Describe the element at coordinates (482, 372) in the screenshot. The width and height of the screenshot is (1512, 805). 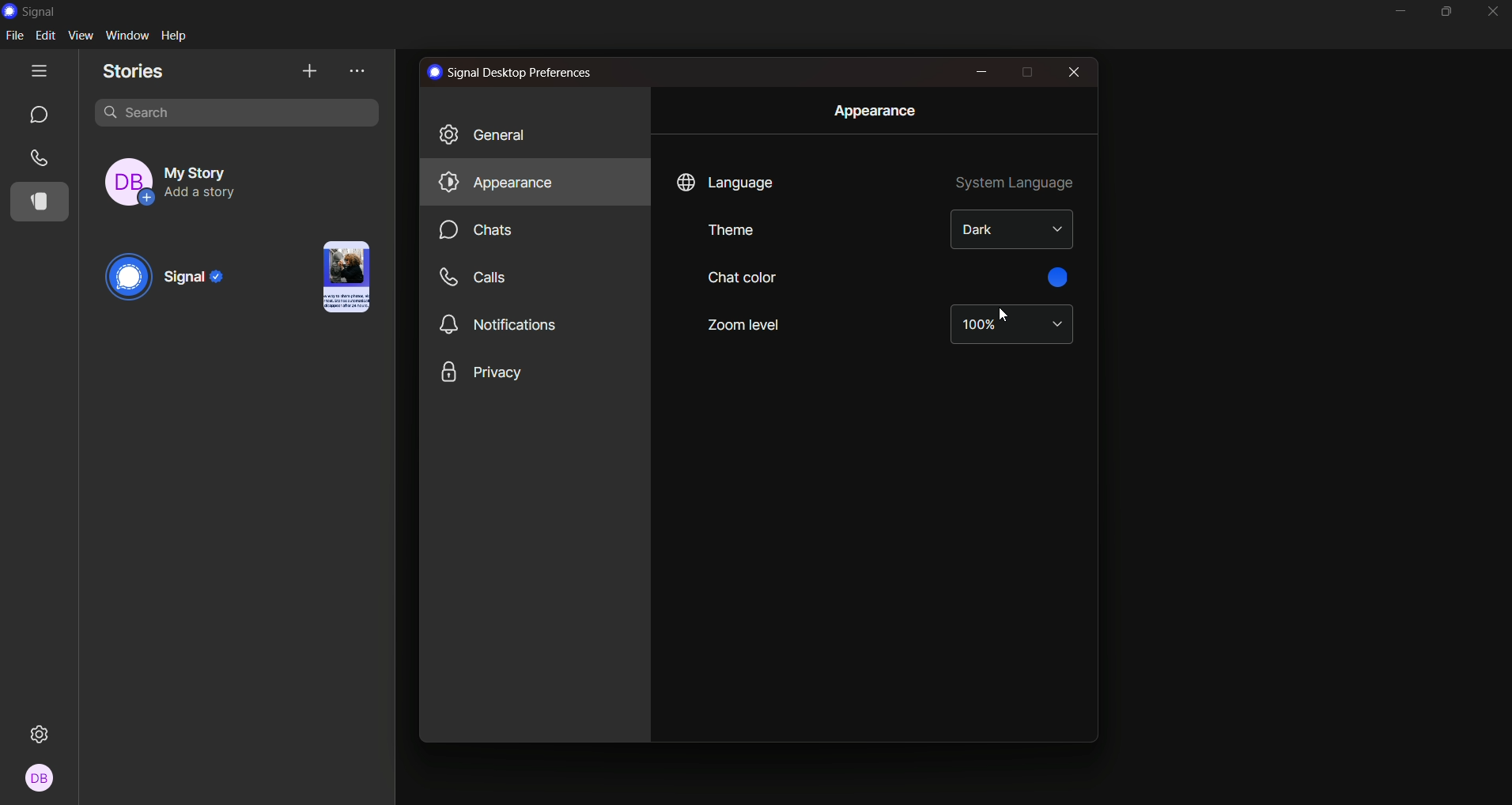
I see `privacy` at that location.